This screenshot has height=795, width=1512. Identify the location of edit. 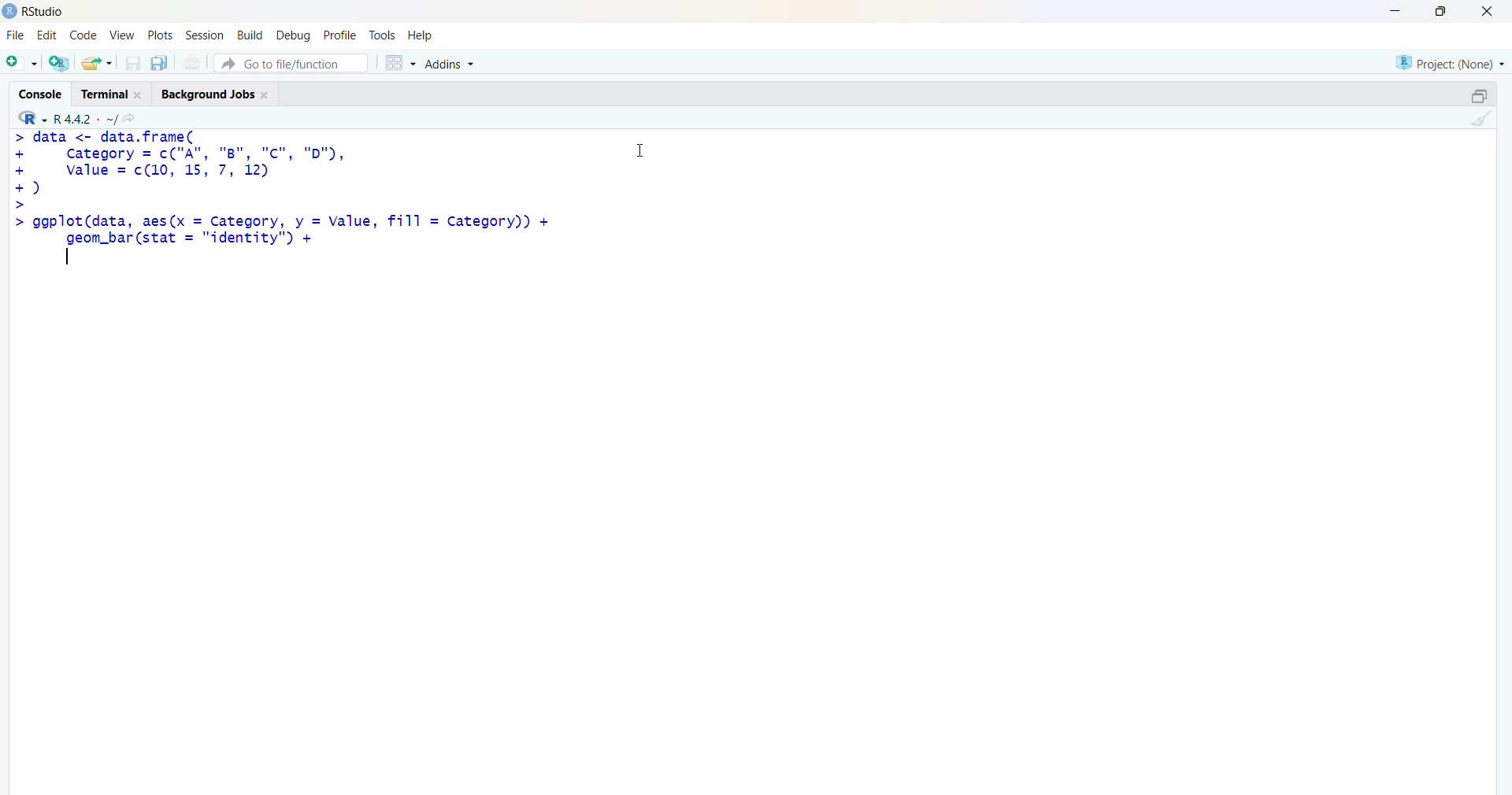
(47, 35).